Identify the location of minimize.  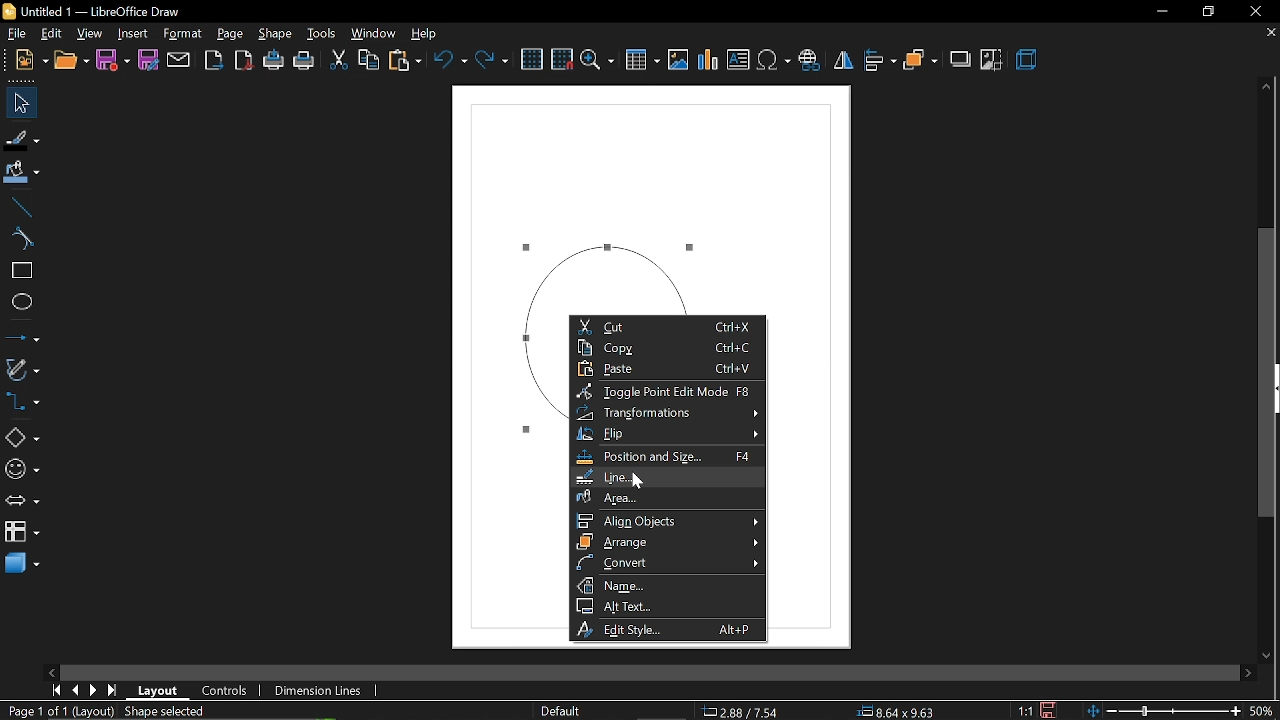
(1162, 12).